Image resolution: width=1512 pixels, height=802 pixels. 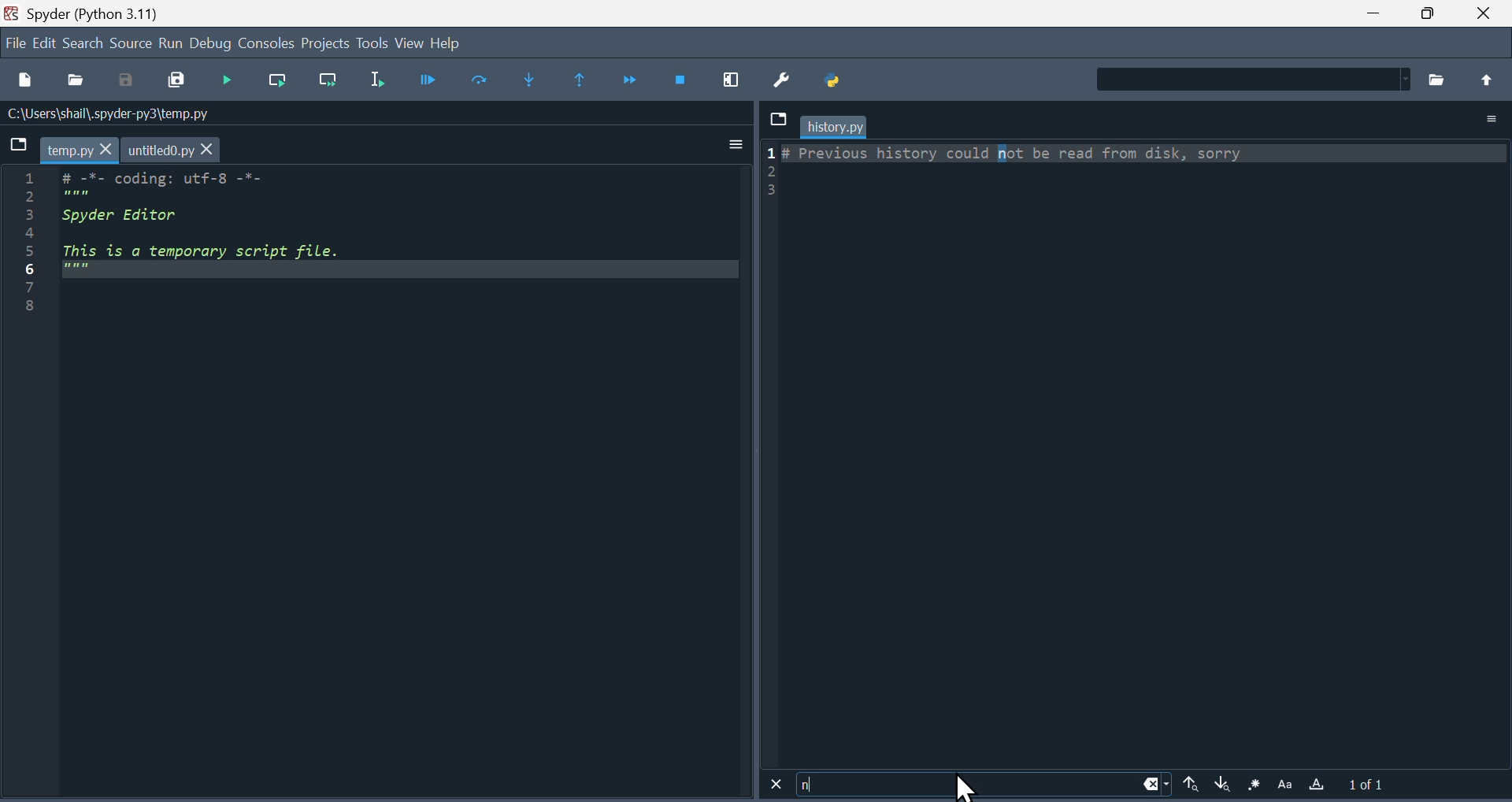 What do you see at coordinates (380, 78) in the screenshot?
I see `Run selection` at bounding box center [380, 78].